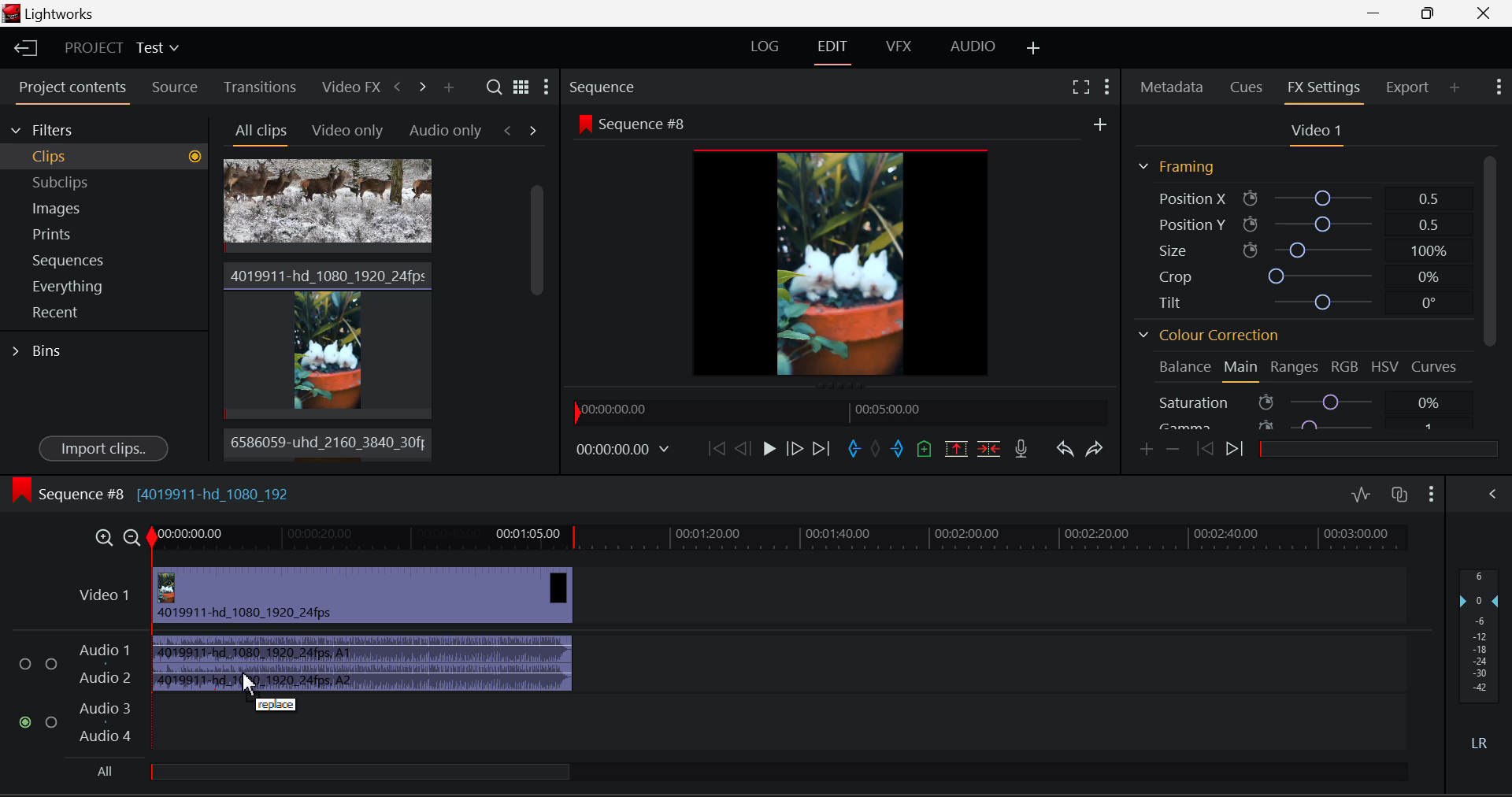 The image size is (1512, 797). What do you see at coordinates (424, 91) in the screenshot?
I see `Next Panel` at bounding box center [424, 91].